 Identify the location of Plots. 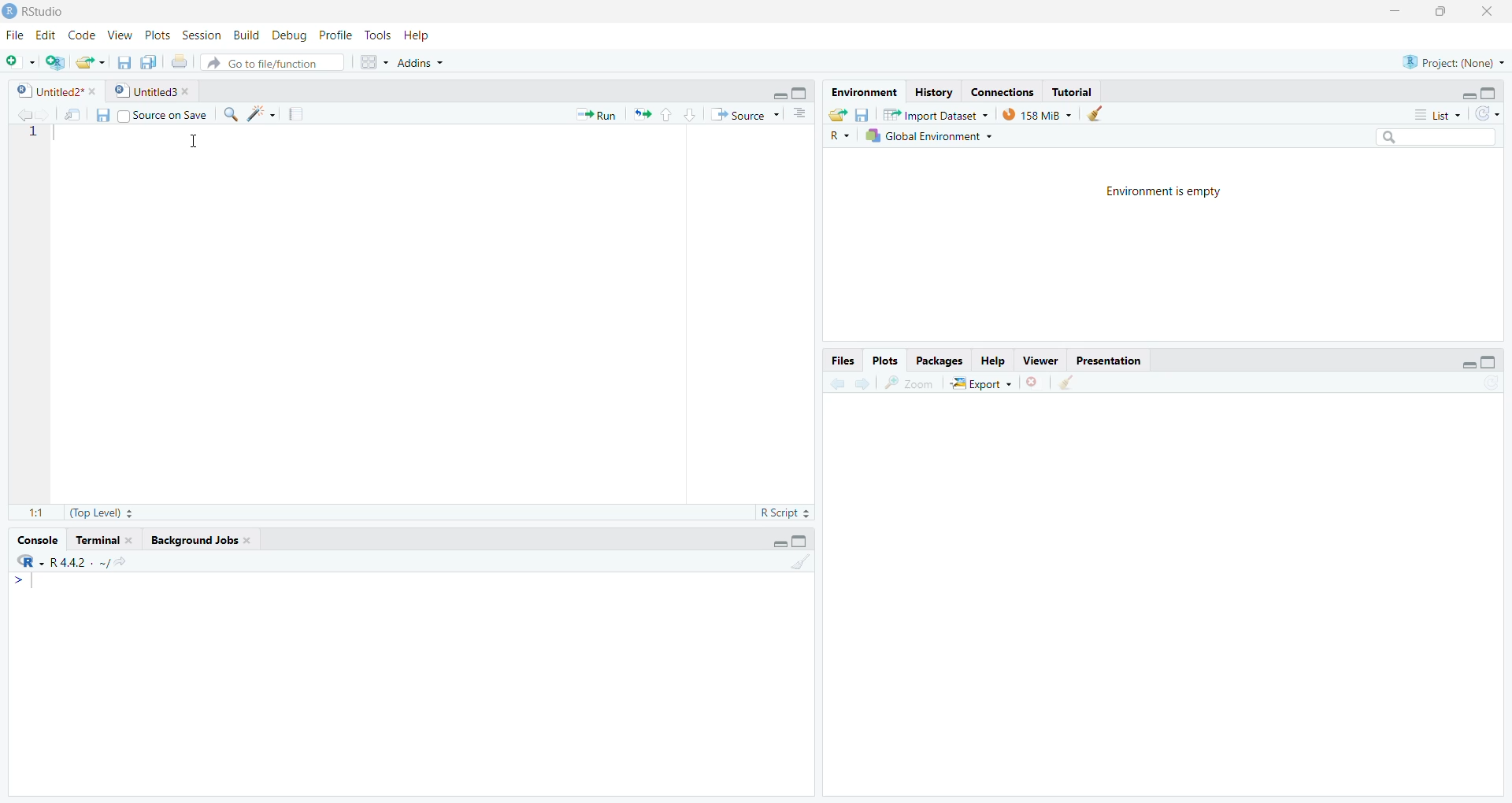
(888, 360).